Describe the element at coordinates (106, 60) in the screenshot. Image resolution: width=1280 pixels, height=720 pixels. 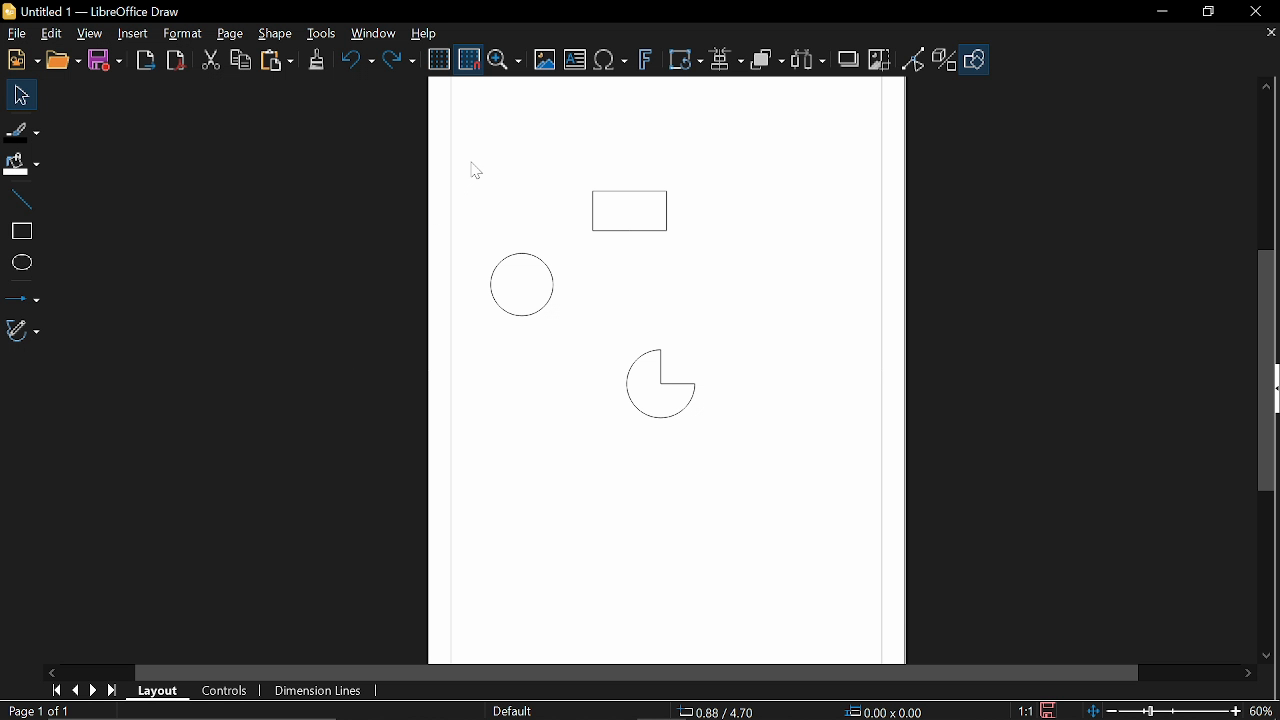
I see `Save` at that location.